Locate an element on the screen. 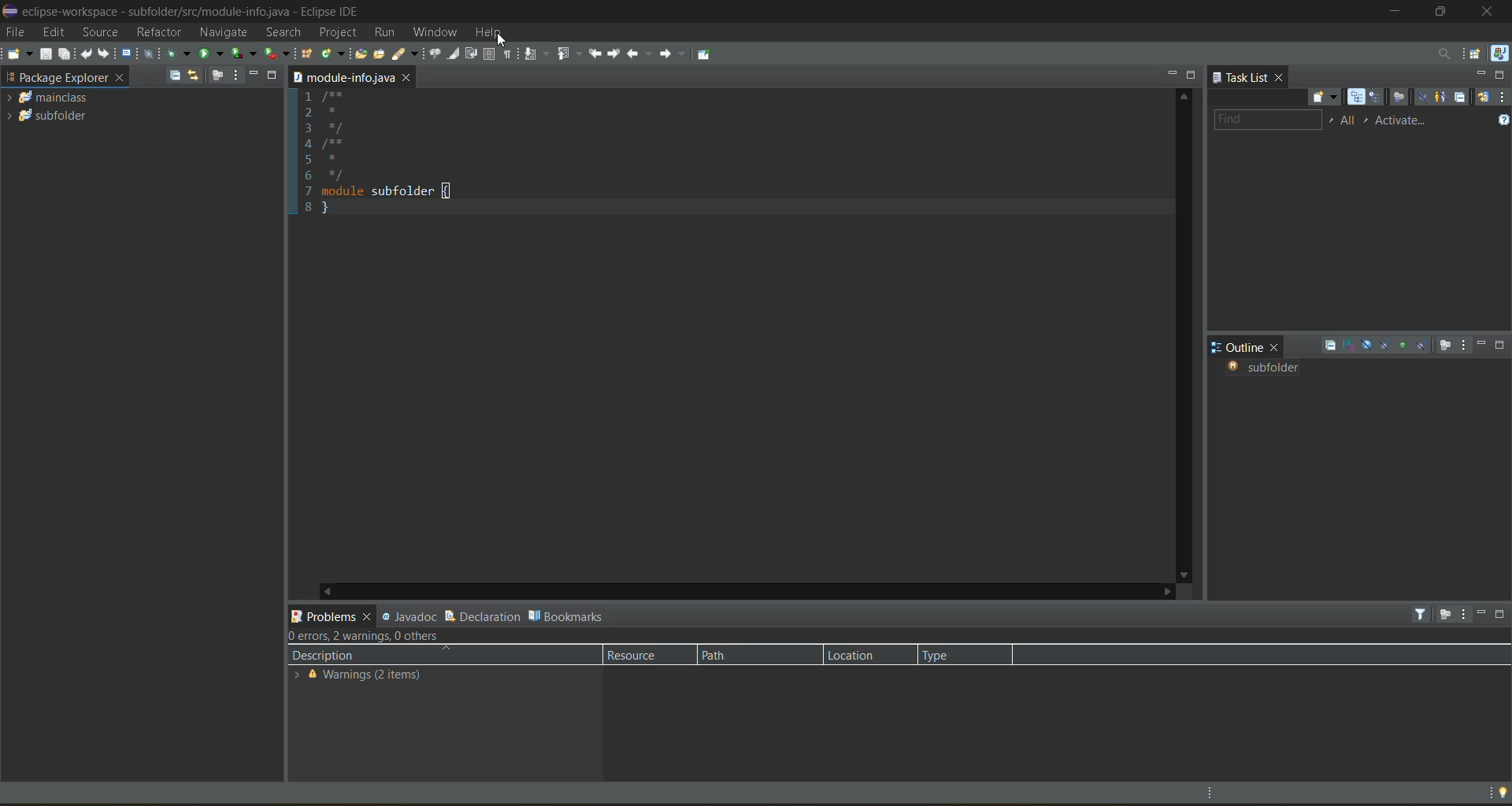  minimize is located at coordinates (254, 76).